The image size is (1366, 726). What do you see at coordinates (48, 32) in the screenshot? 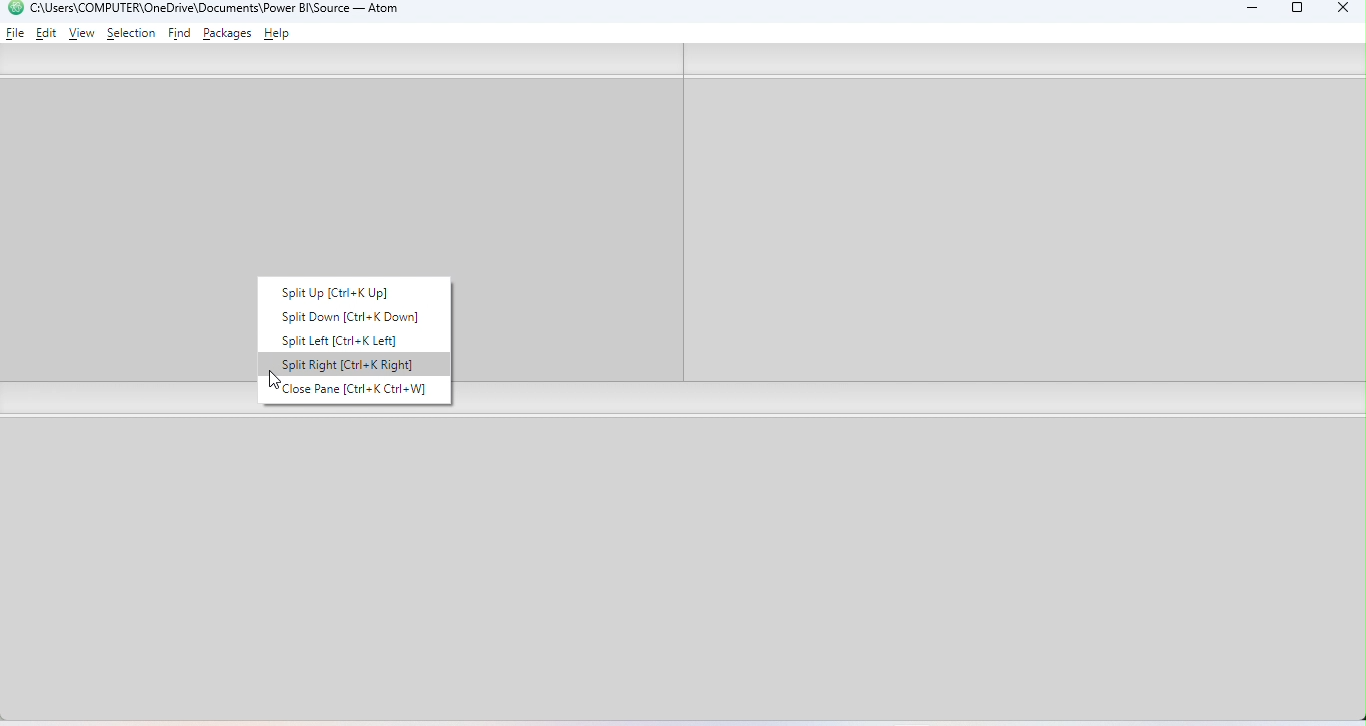
I see `Edit` at bounding box center [48, 32].